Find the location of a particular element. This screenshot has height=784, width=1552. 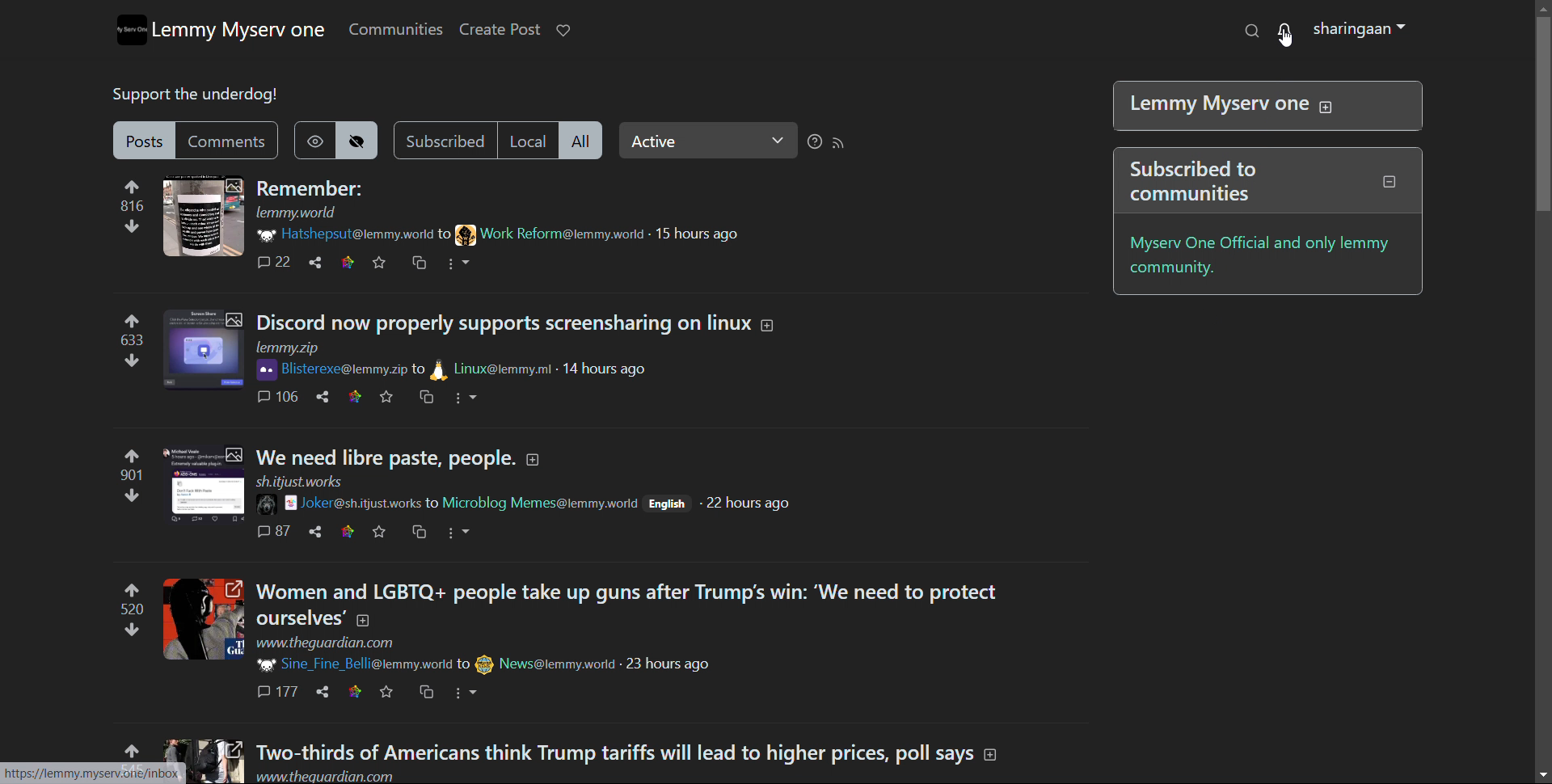

comments is located at coordinates (272, 263).